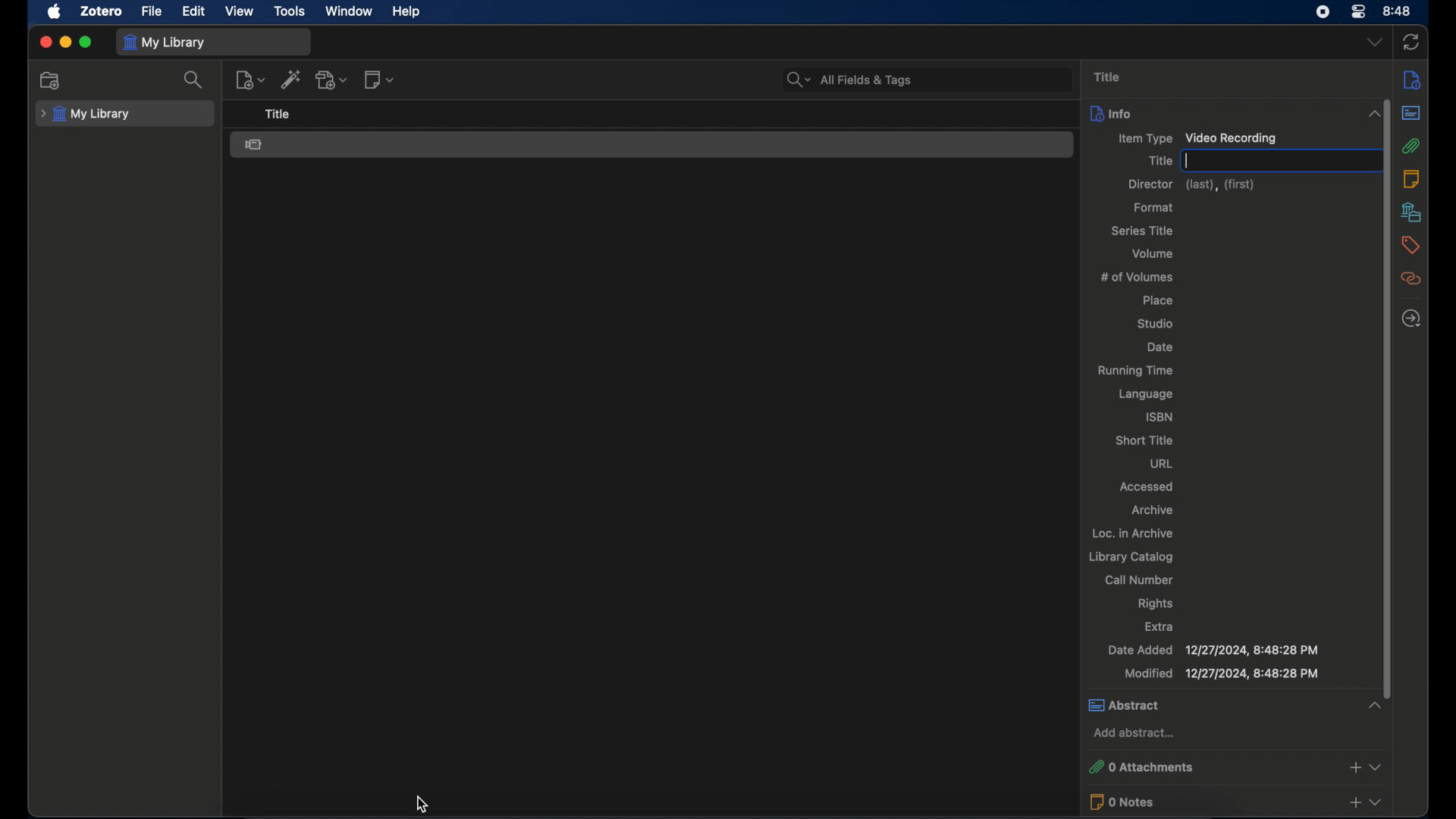 Image resolution: width=1456 pixels, height=819 pixels. Describe the element at coordinates (1212, 765) in the screenshot. I see `0 attachments` at that location.